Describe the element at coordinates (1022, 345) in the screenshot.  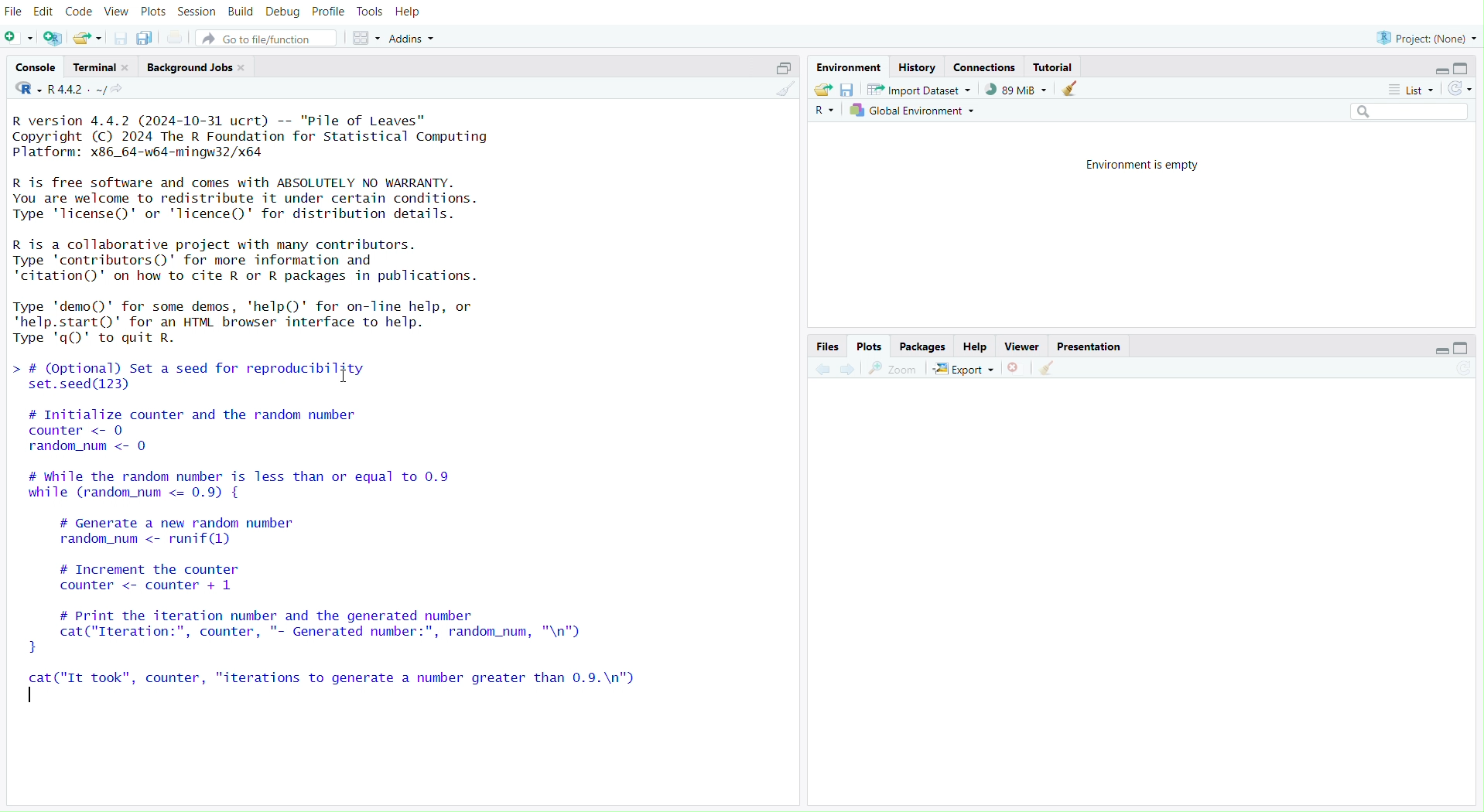
I see `Viewer` at that location.